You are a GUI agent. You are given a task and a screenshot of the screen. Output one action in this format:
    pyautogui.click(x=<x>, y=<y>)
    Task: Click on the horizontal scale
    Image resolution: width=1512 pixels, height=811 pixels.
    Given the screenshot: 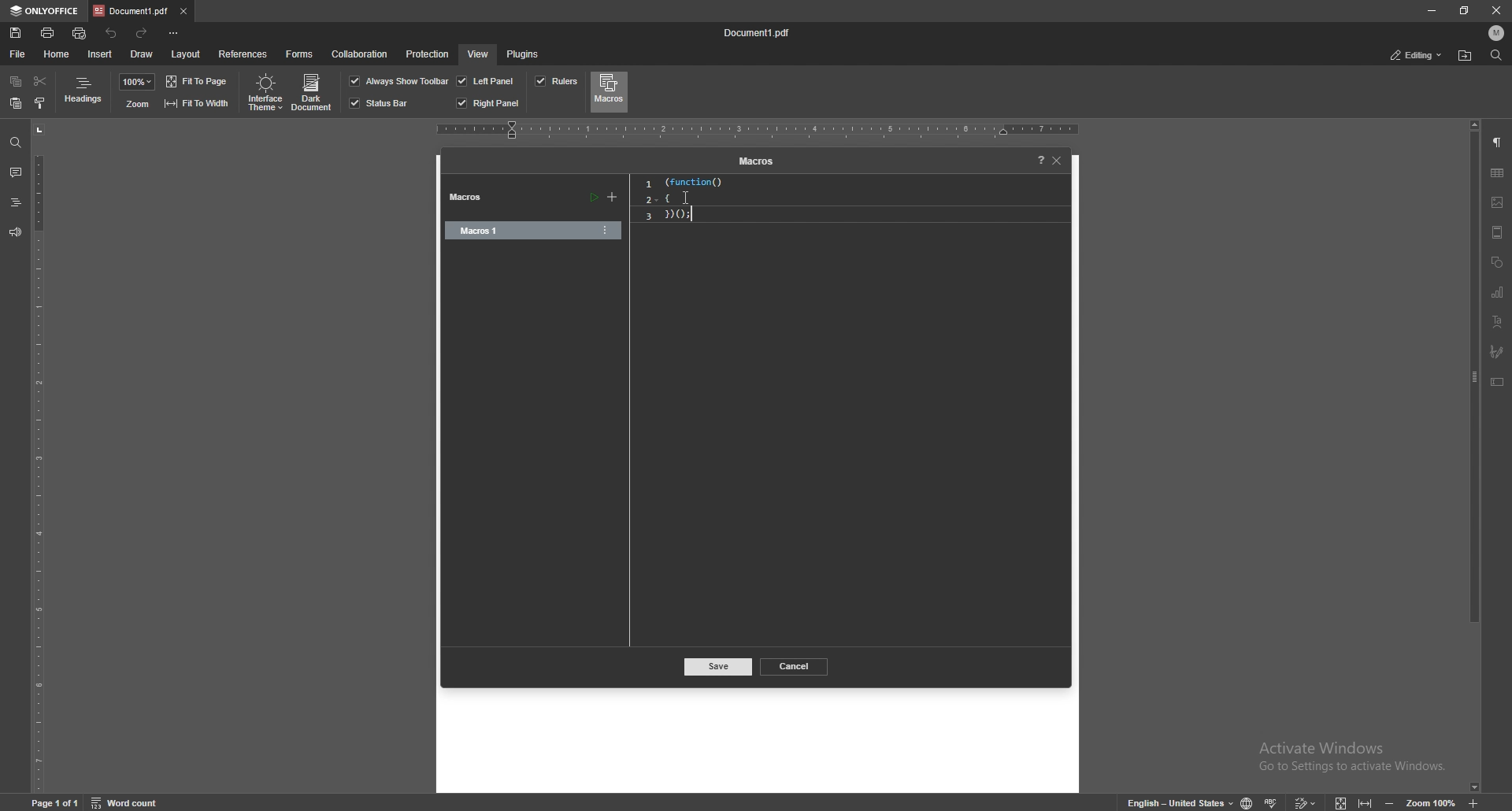 What is the action you would take?
    pyautogui.click(x=758, y=130)
    